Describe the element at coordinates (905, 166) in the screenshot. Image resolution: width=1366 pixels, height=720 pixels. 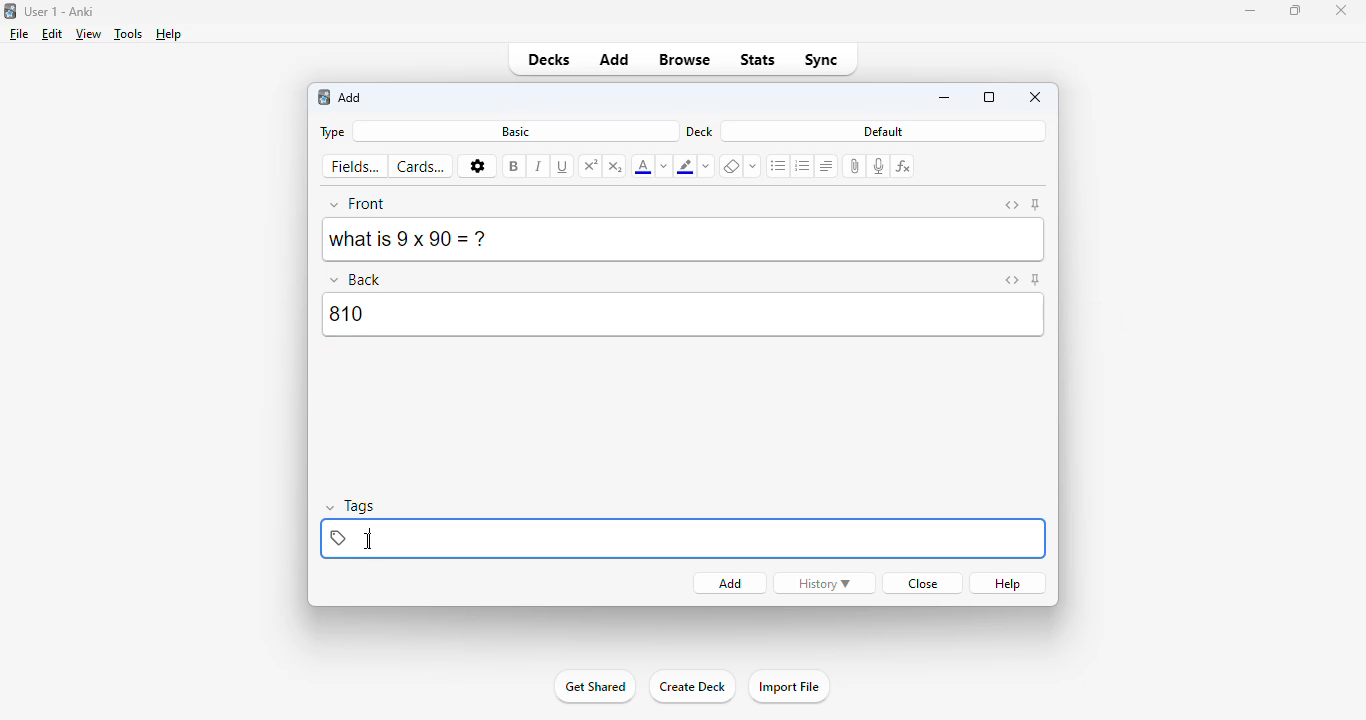
I see `equations` at that location.